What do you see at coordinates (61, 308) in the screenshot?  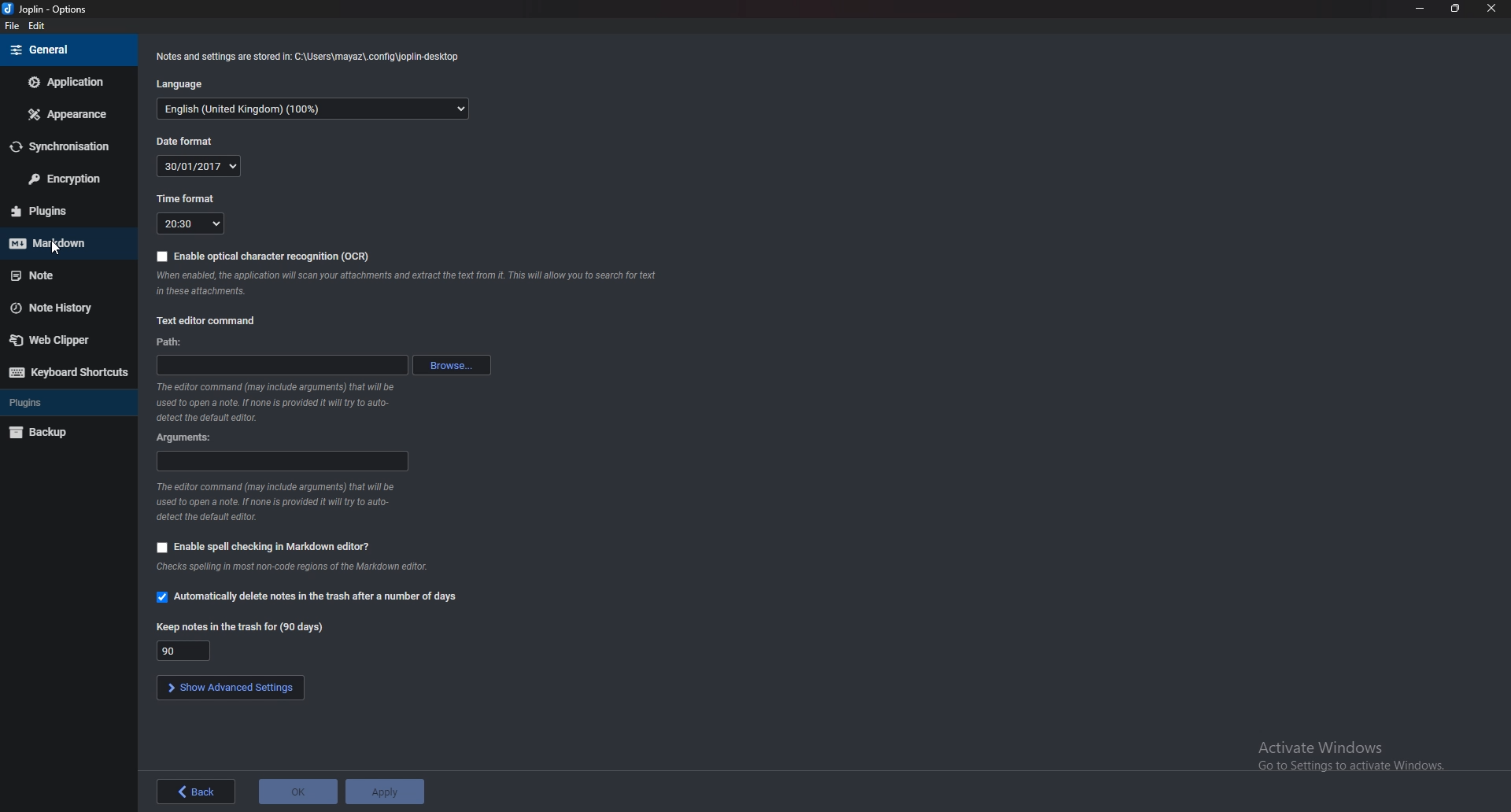 I see `Note history` at bounding box center [61, 308].